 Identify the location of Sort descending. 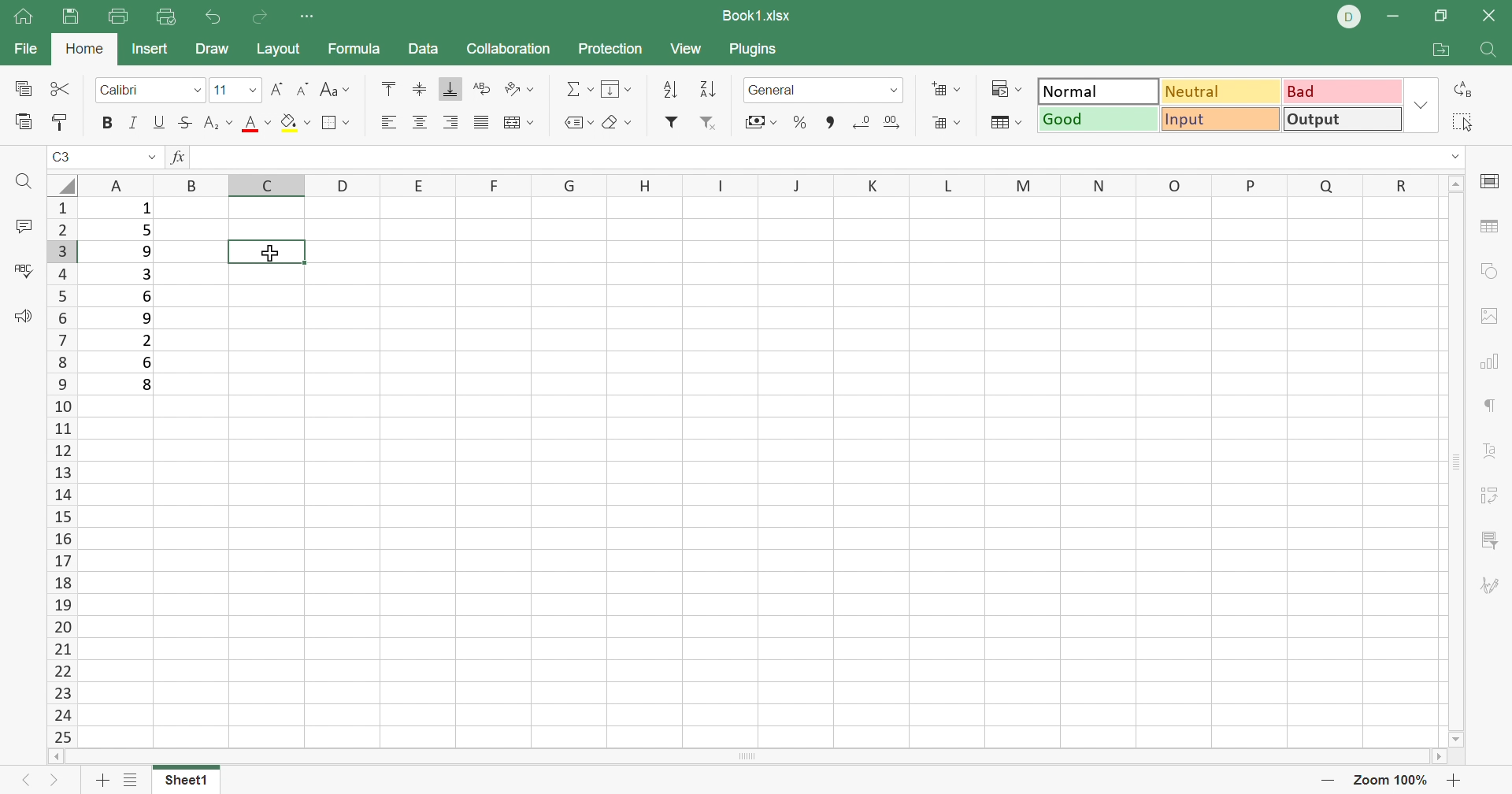
(669, 90).